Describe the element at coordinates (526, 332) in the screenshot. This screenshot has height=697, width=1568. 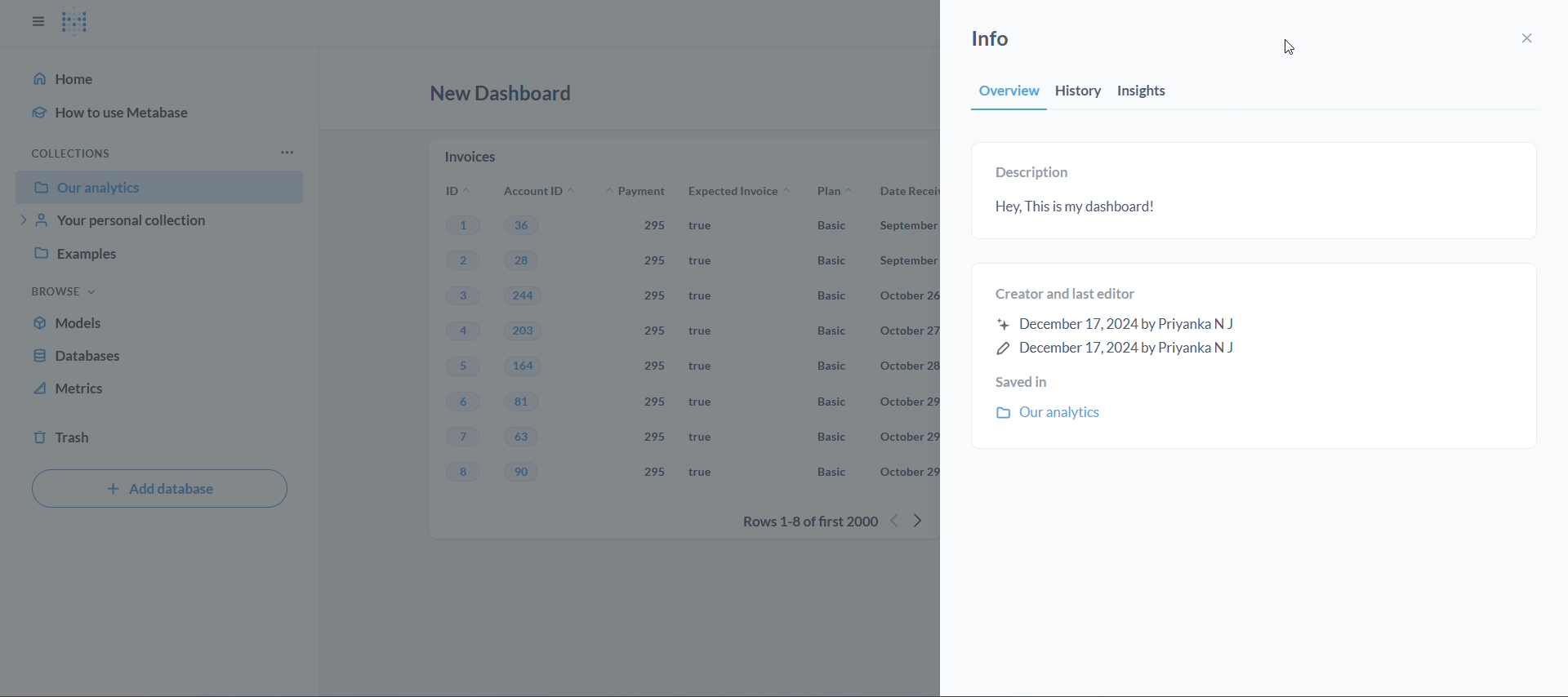
I see `203` at that location.